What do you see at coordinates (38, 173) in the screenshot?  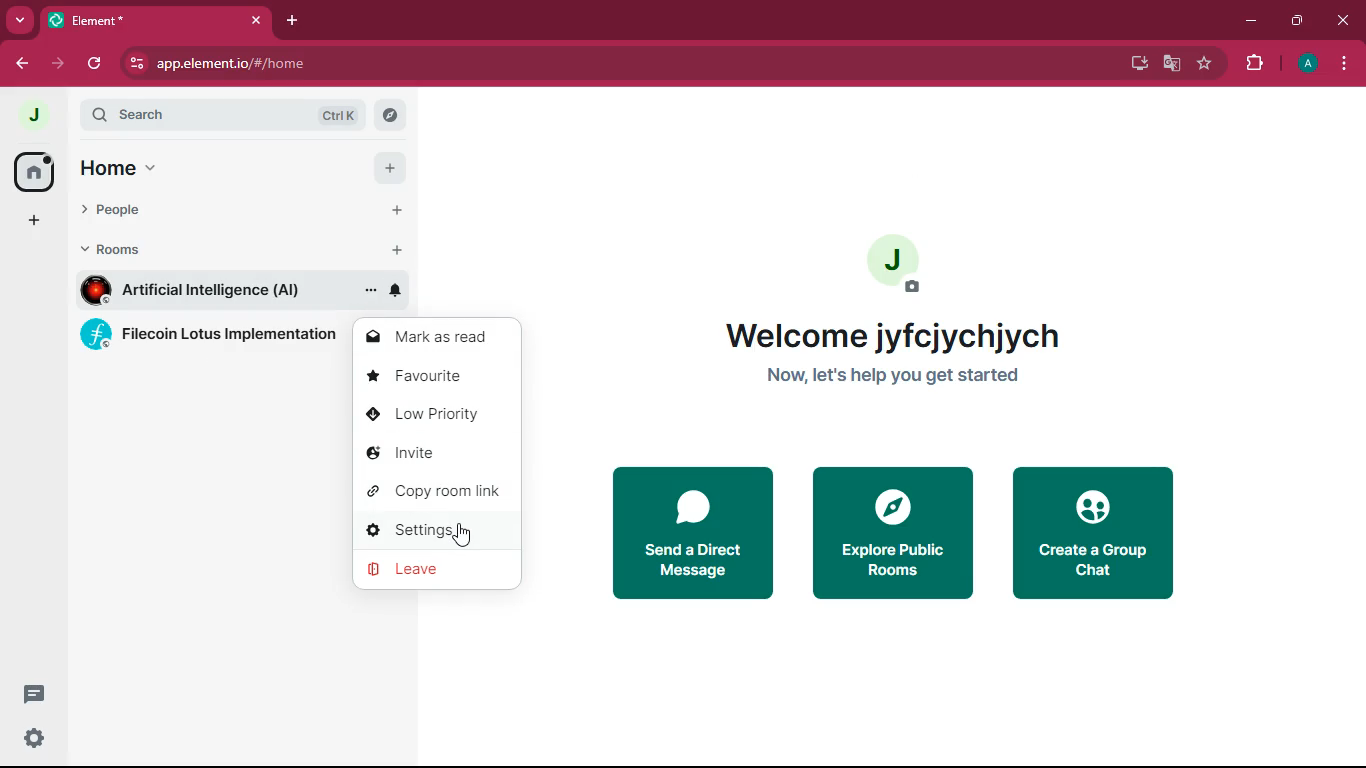 I see `home` at bounding box center [38, 173].